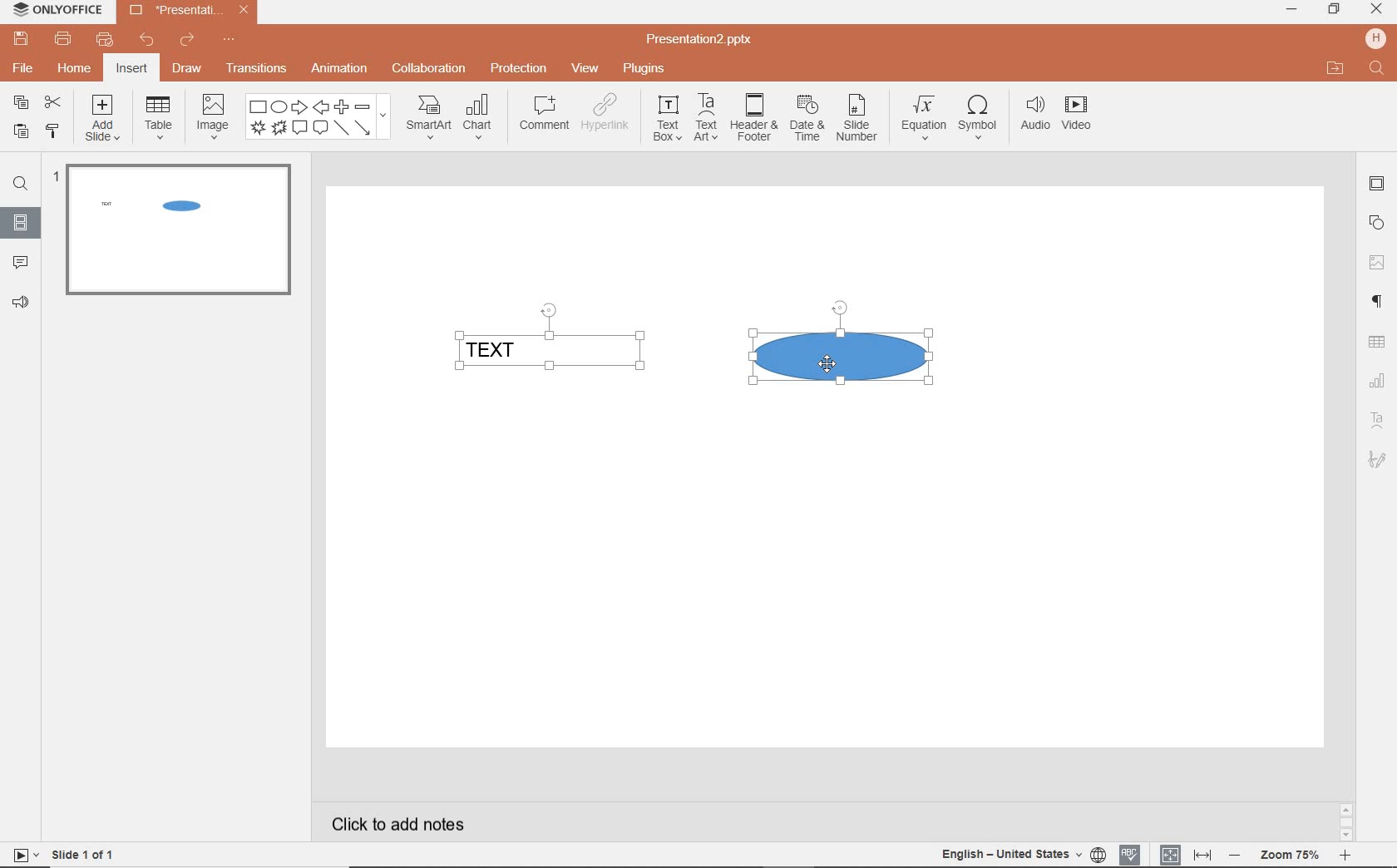 Image resolution: width=1397 pixels, height=868 pixels. Describe the element at coordinates (1375, 461) in the screenshot. I see `TEXT ART` at that location.